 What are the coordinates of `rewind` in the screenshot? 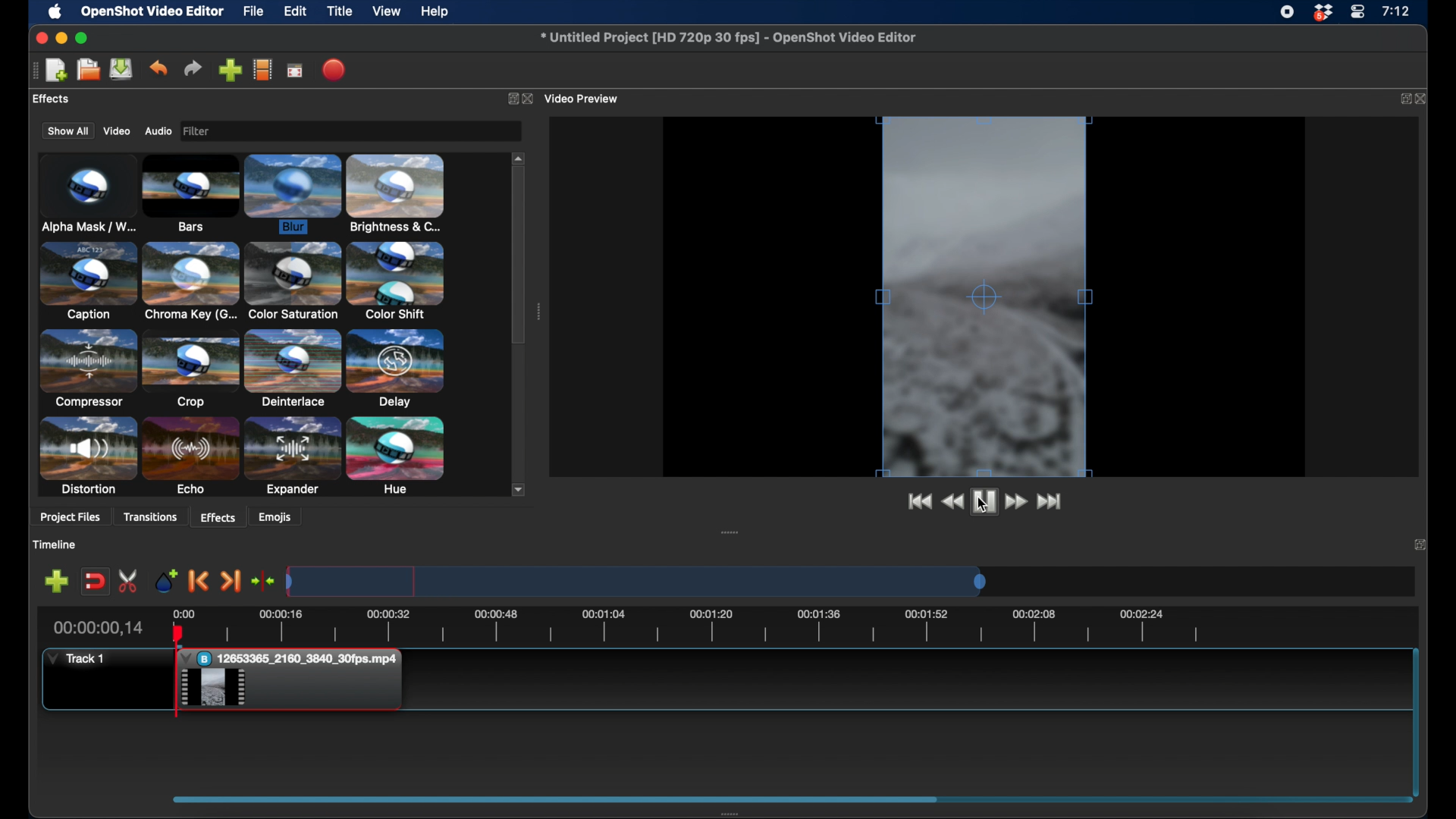 It's located at (954, 503).